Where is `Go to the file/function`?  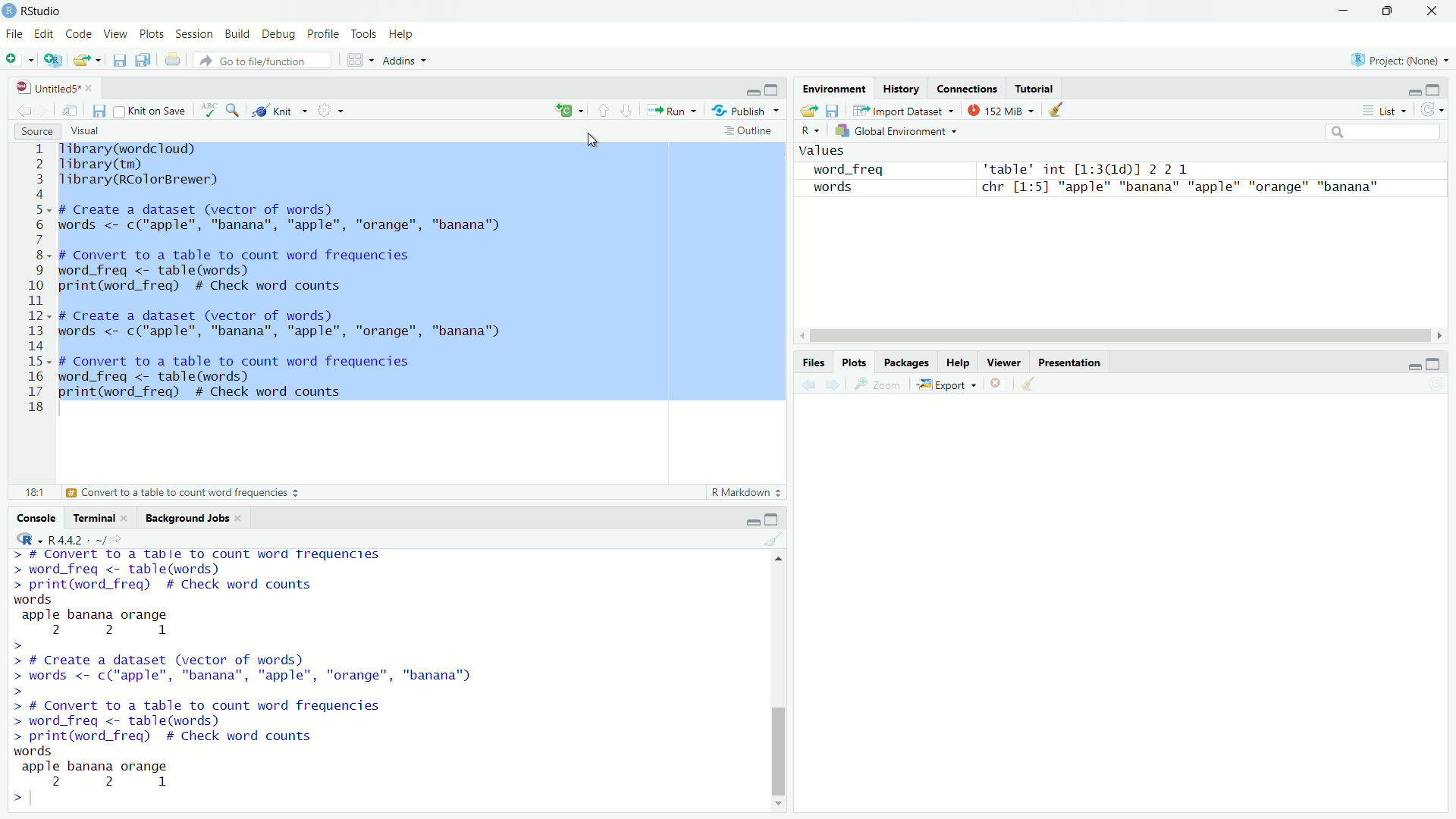
Go to the file/function is located at coordinates (262, 61).